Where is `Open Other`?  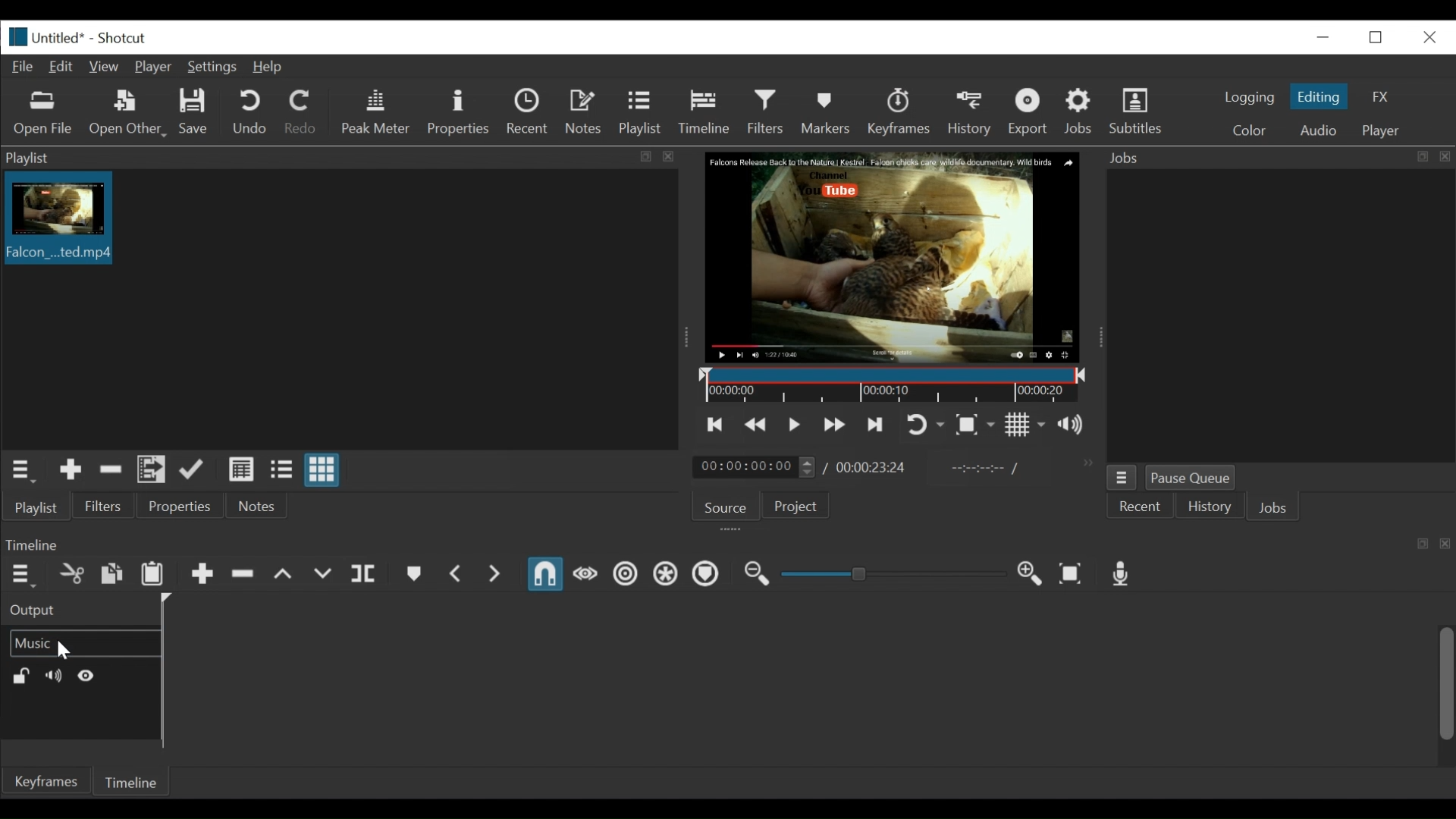
Open Other is located at coordinates (125, 113).